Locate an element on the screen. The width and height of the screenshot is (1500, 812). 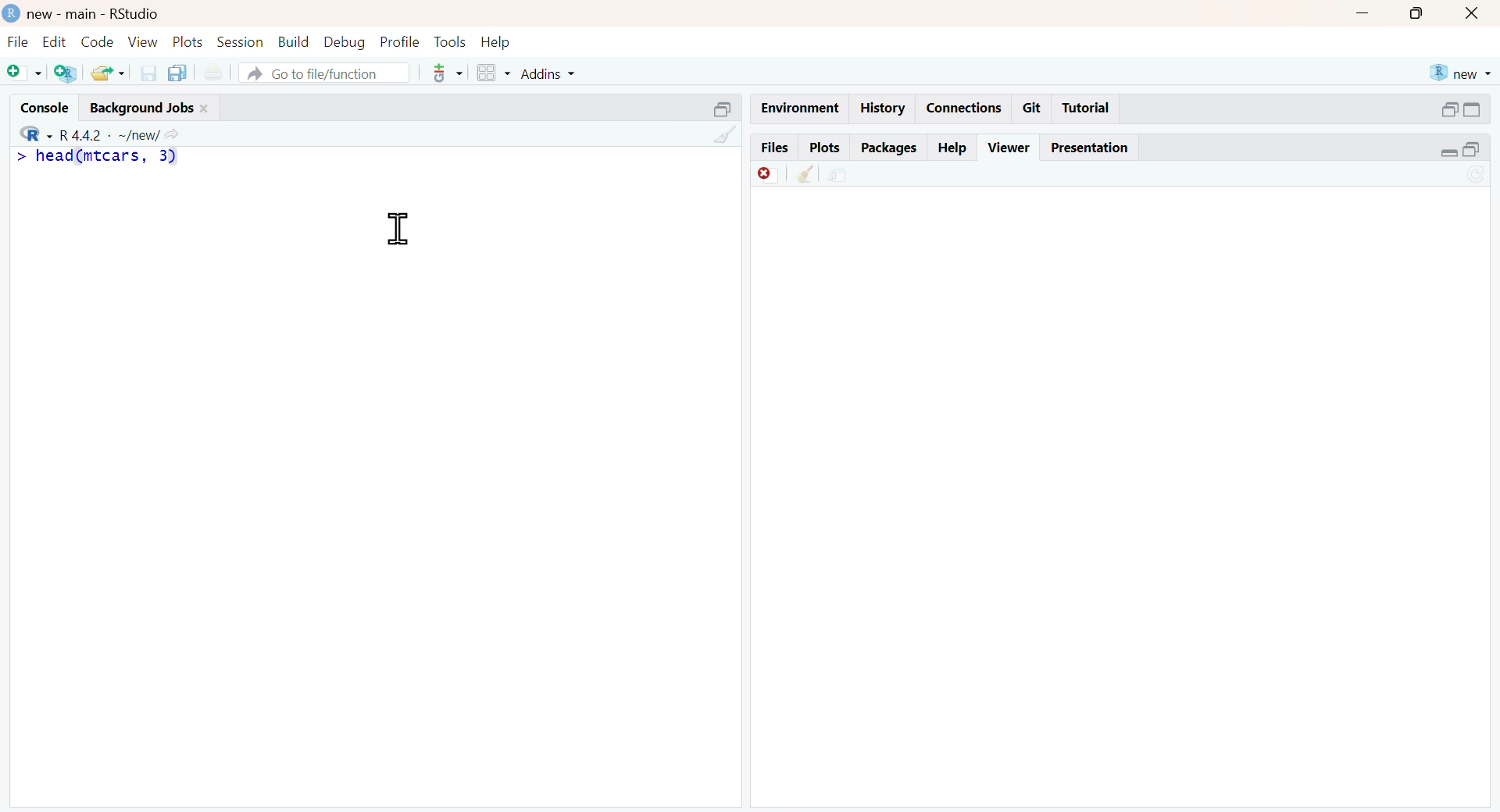
Create new project is located at coordinates (63, 73).